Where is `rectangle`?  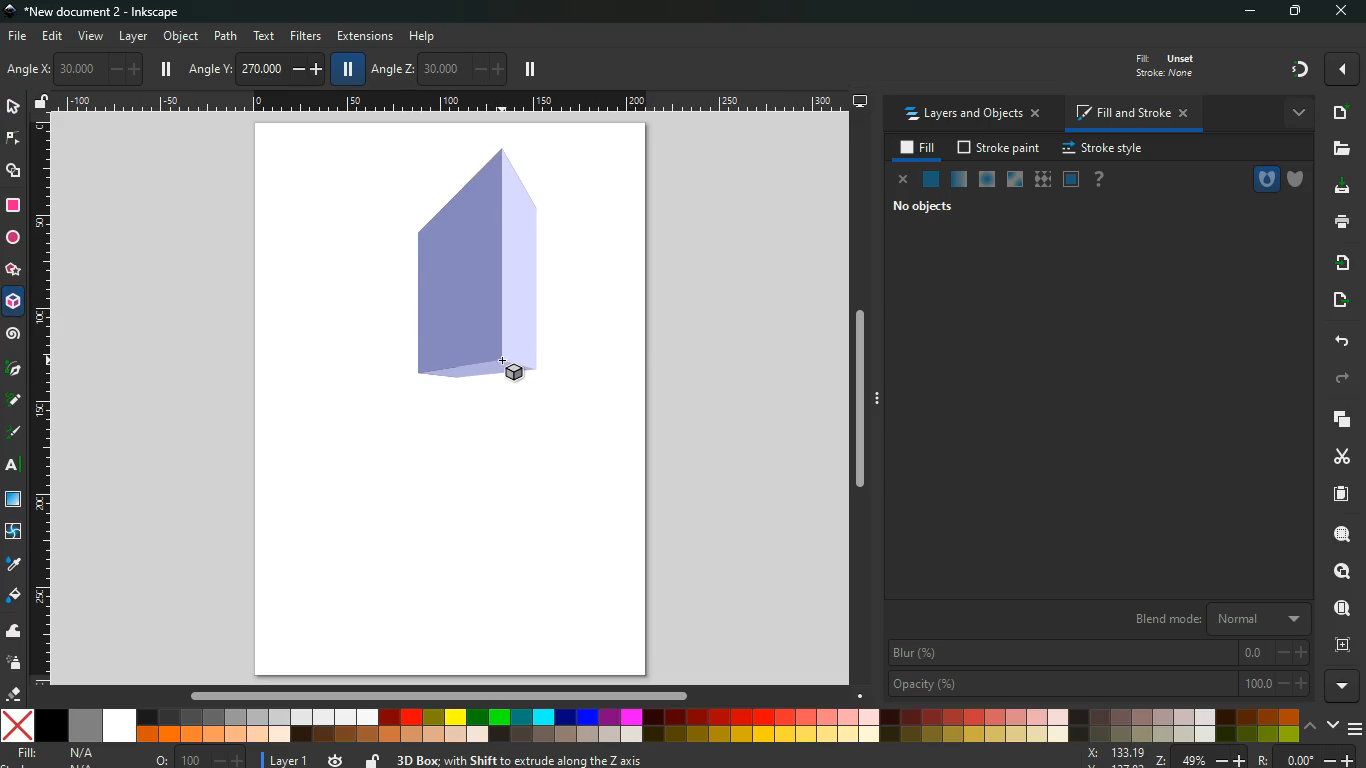
rectangle is located at coordinates (12, 206).